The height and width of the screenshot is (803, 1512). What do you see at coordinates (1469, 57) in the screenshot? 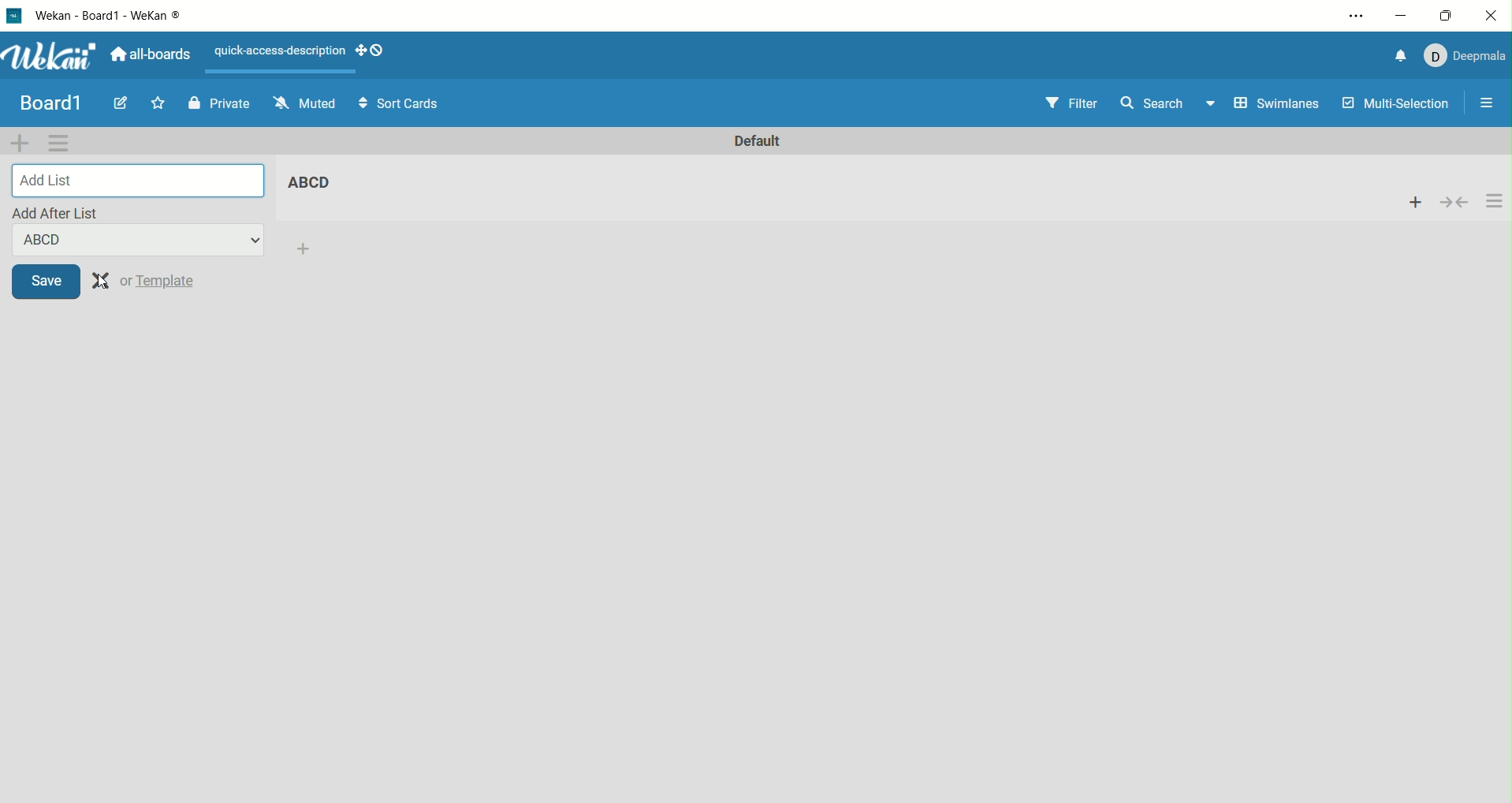
I see `account` at bounding box center [1469, 57].